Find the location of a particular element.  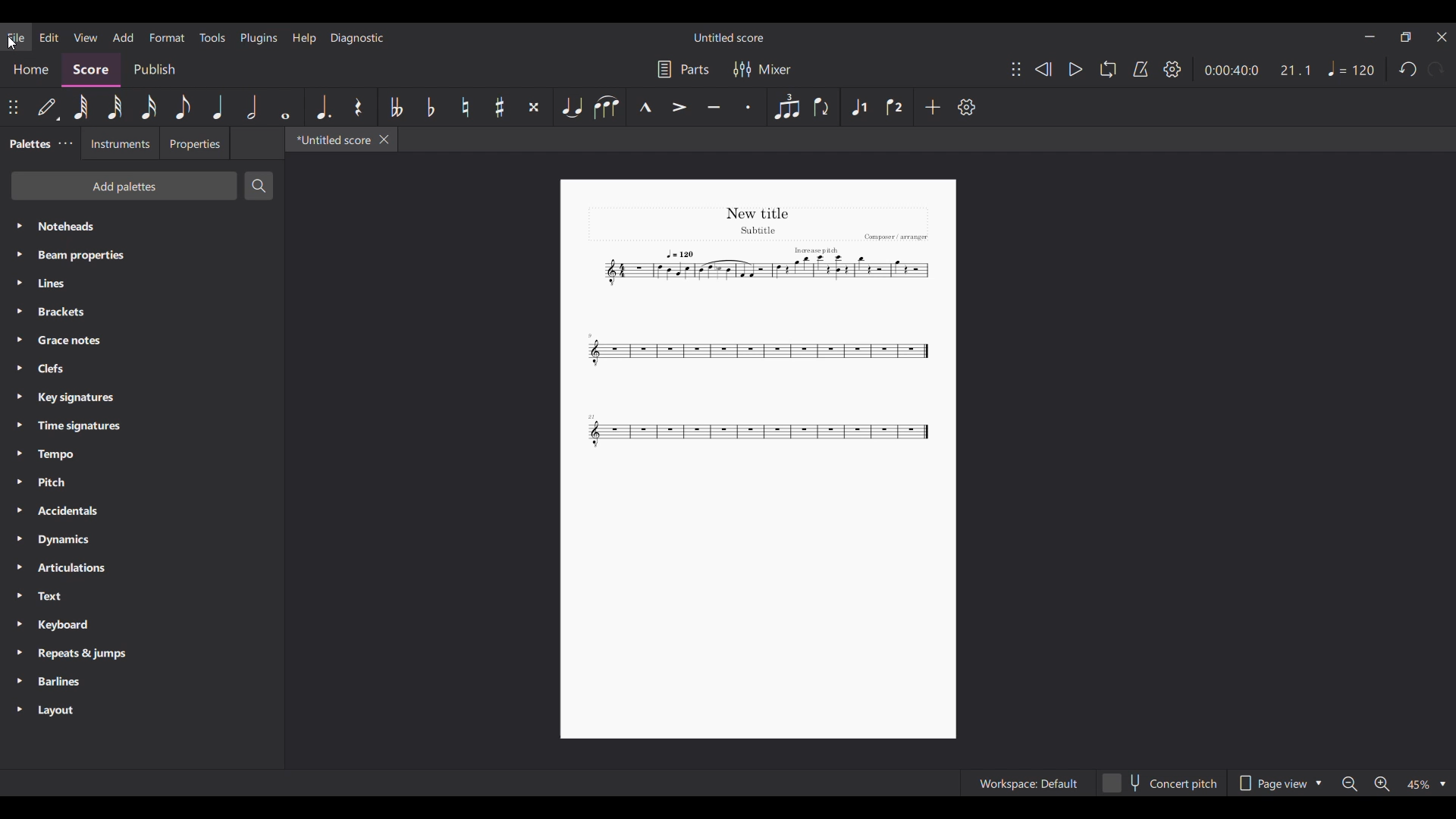

Score, current section is located at coordinates (92, 70).